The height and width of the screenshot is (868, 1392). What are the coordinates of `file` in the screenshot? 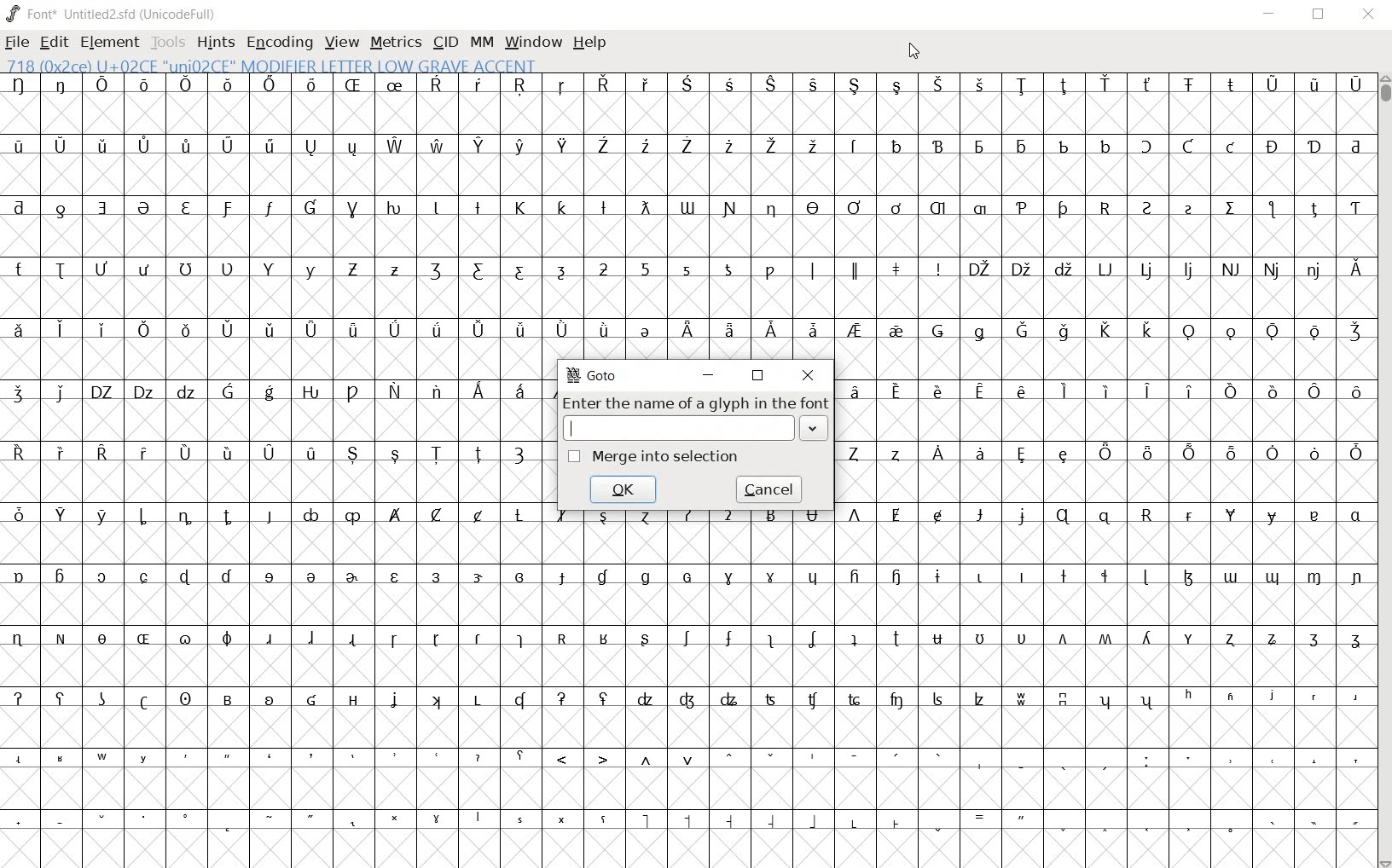 It's located at (17, 44).